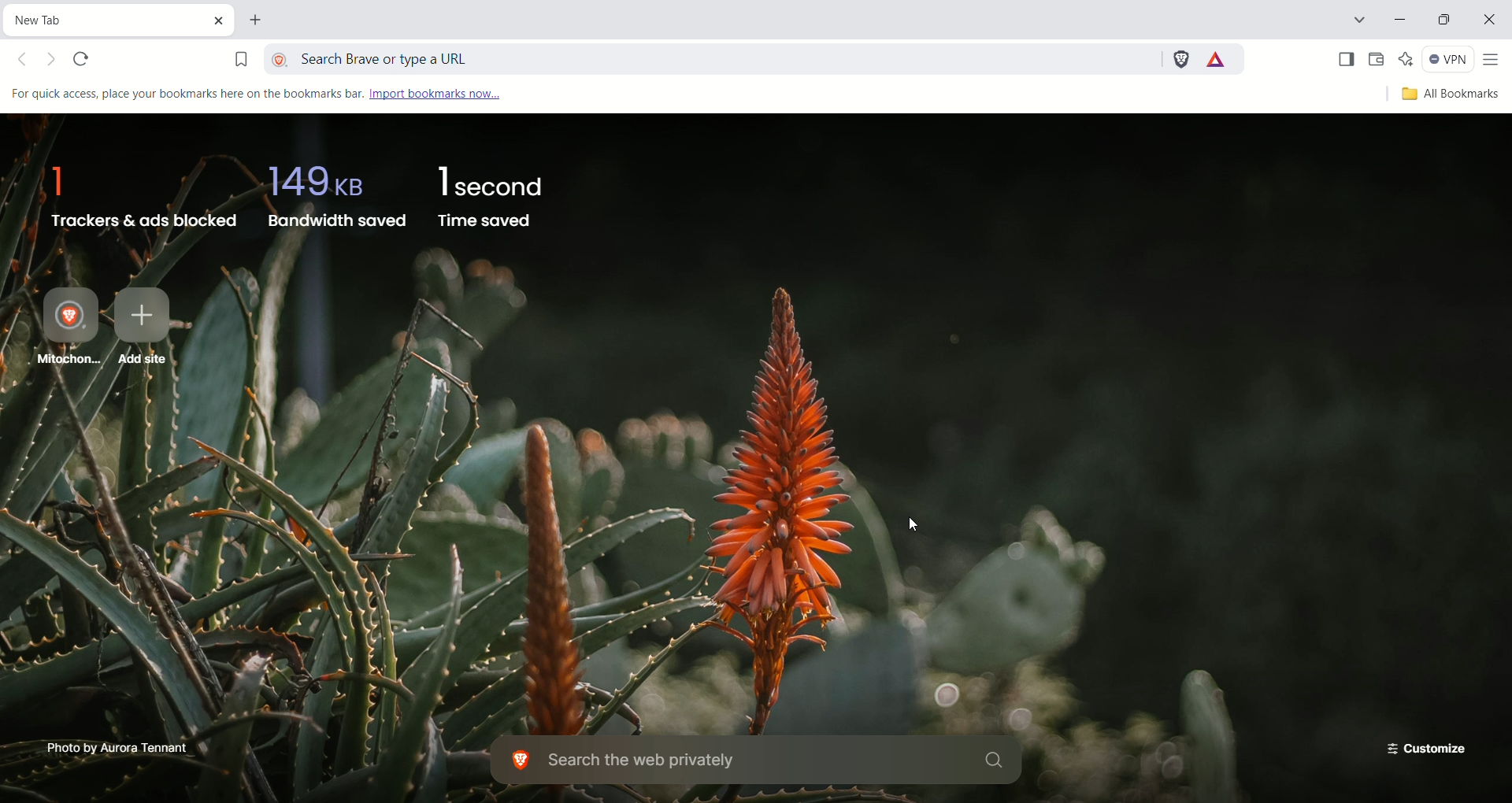  What do you see at coordinates (240, 56) in the screenshot?
I see `bookmark` at bounding box center [240, 56].